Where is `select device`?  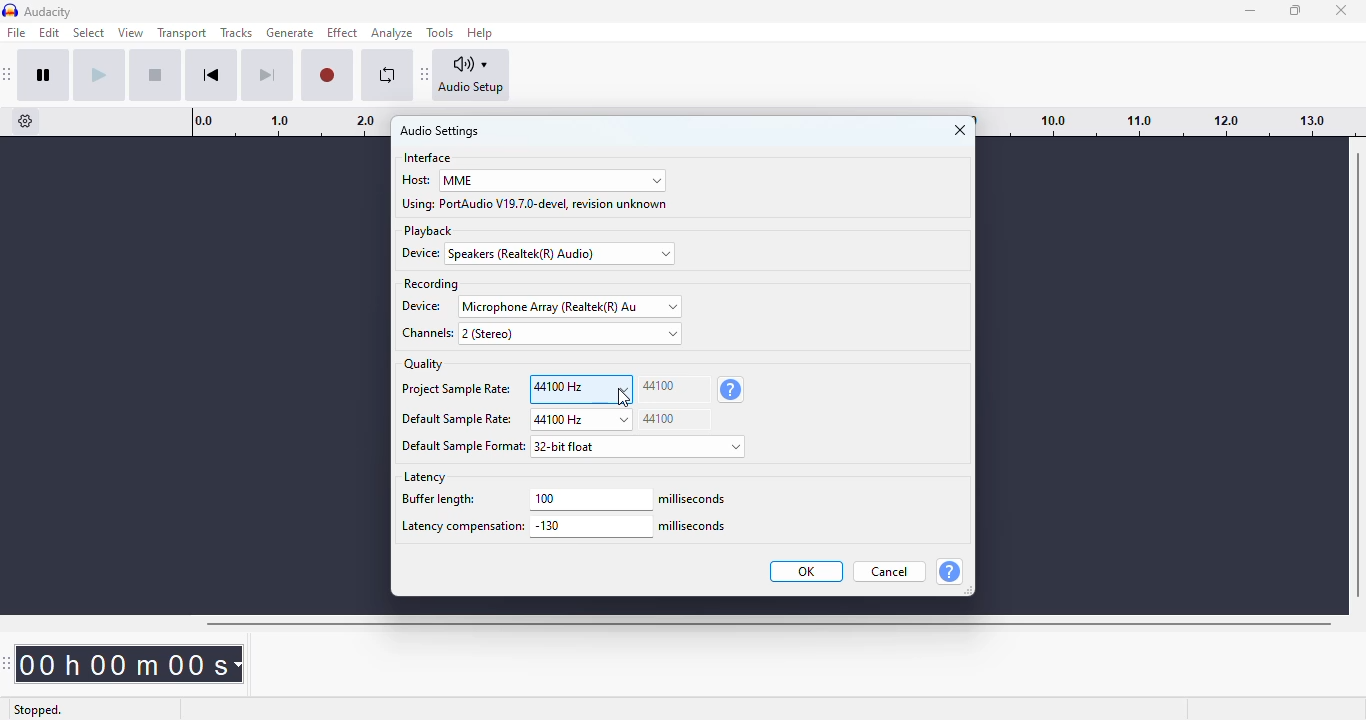
select device is located at coordinates (570, 306).